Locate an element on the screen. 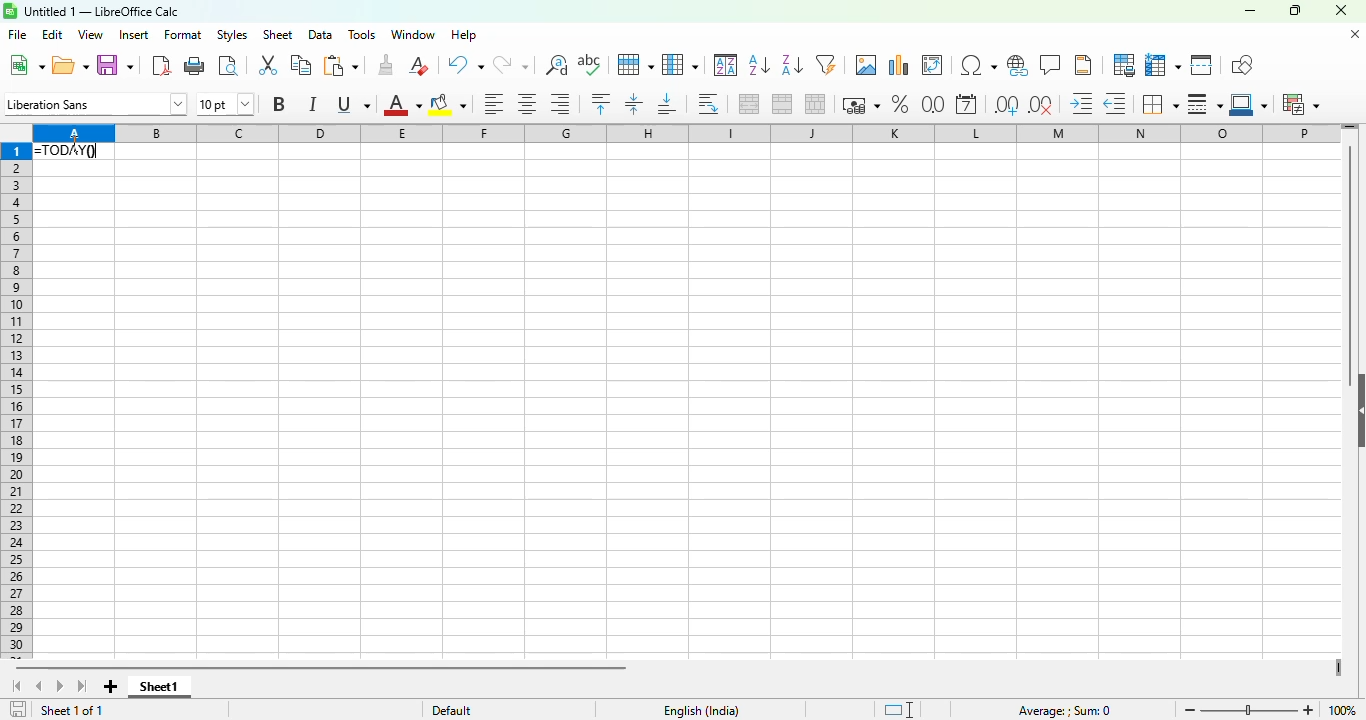 Image resolution: width=1366 pixels, height=720 pixels. sheet is located at coordinates (278, 35).